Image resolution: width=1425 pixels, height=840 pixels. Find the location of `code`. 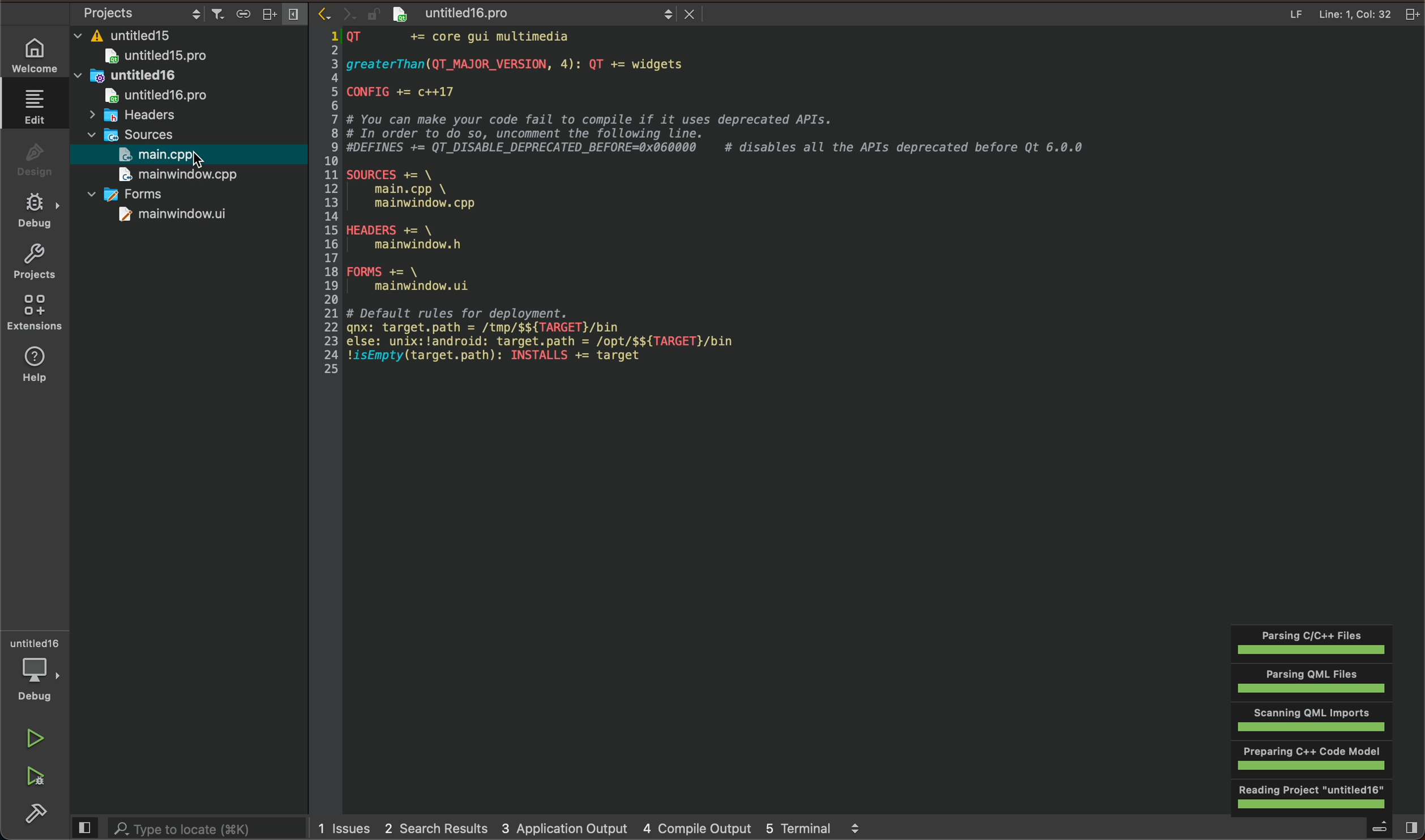

code is located at coordinates (737, 221).